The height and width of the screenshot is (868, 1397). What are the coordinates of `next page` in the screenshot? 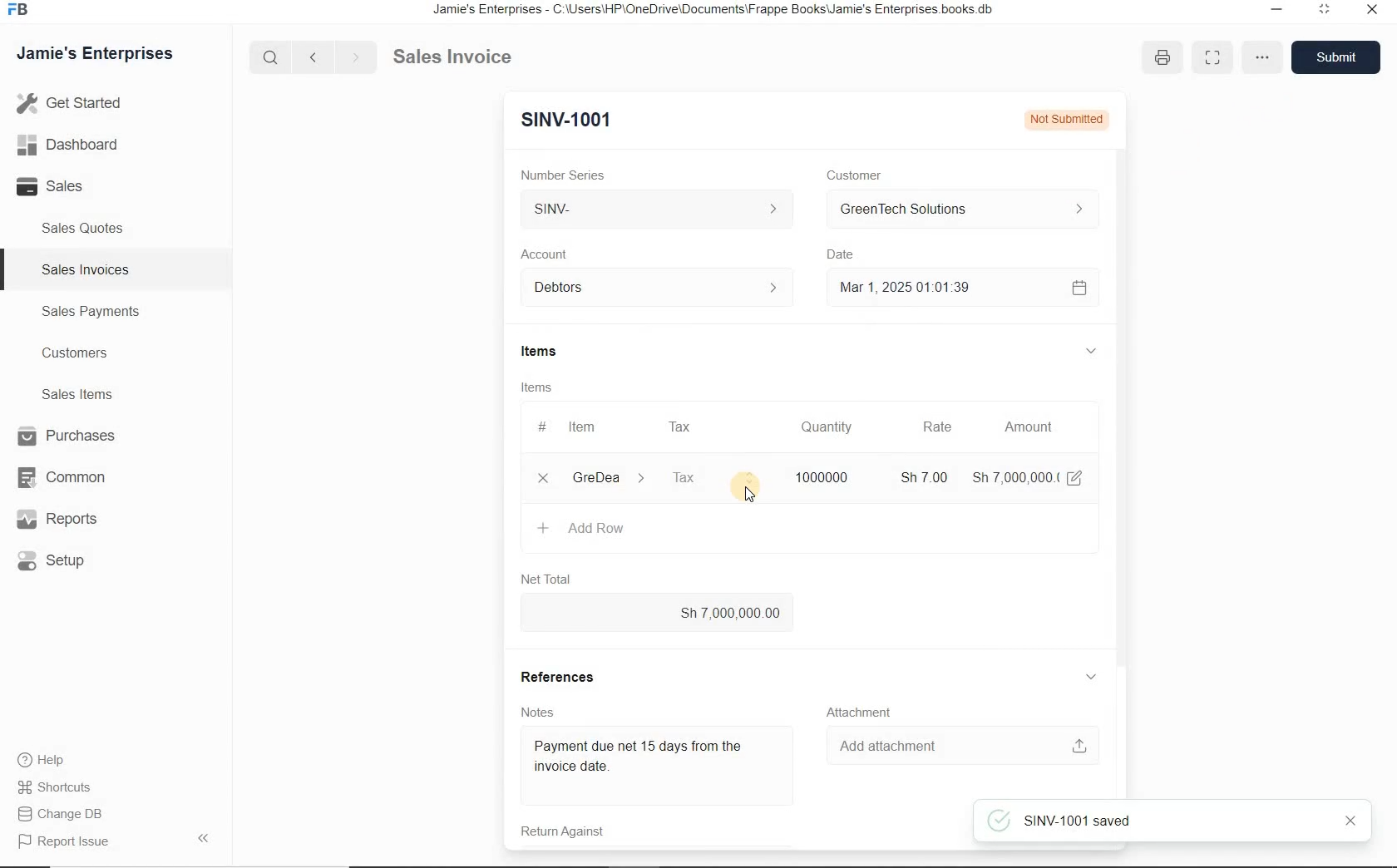 It's located at (353, 56).